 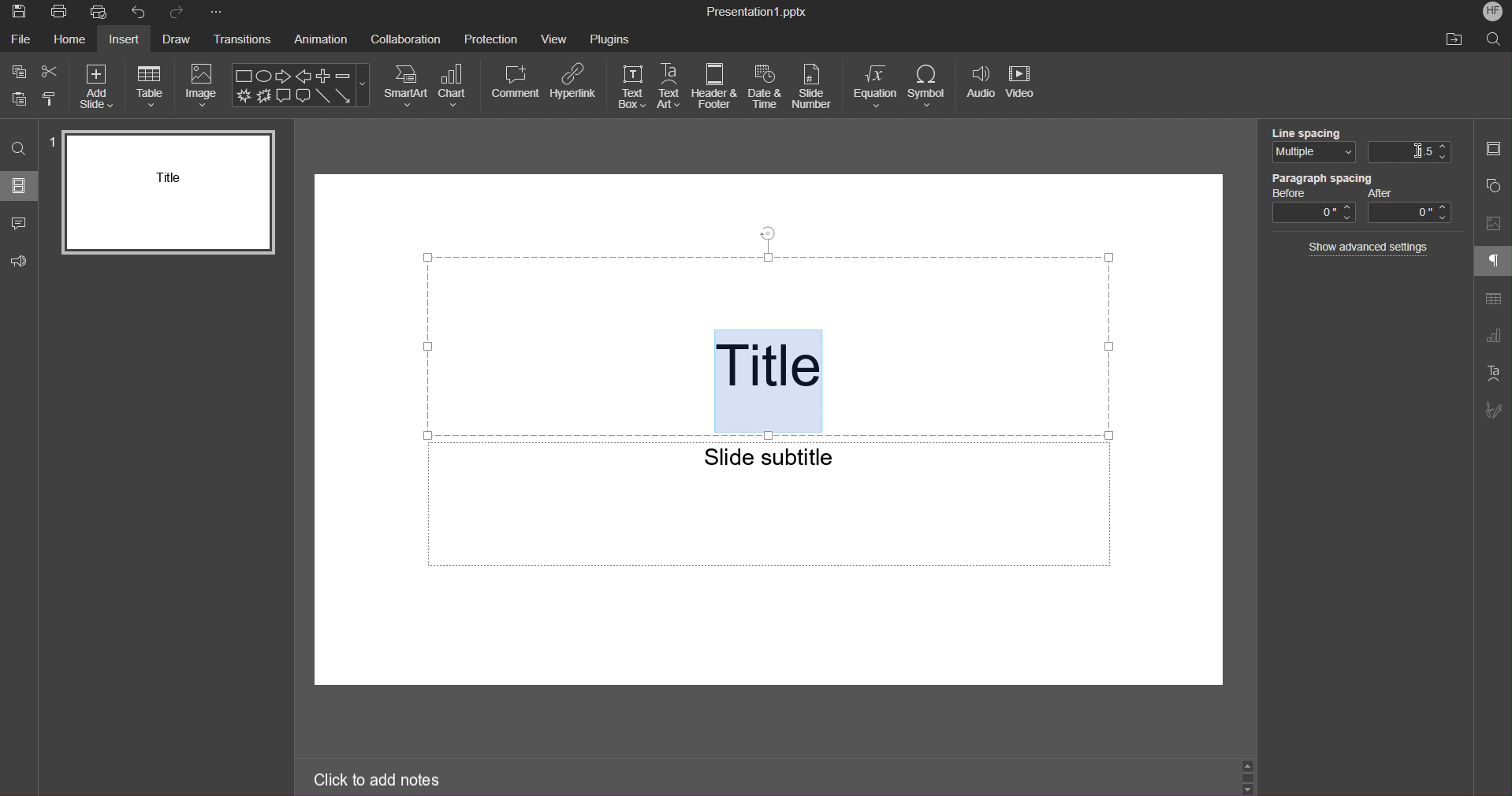 I want to click on Plugins, so click(x=609, y=39).